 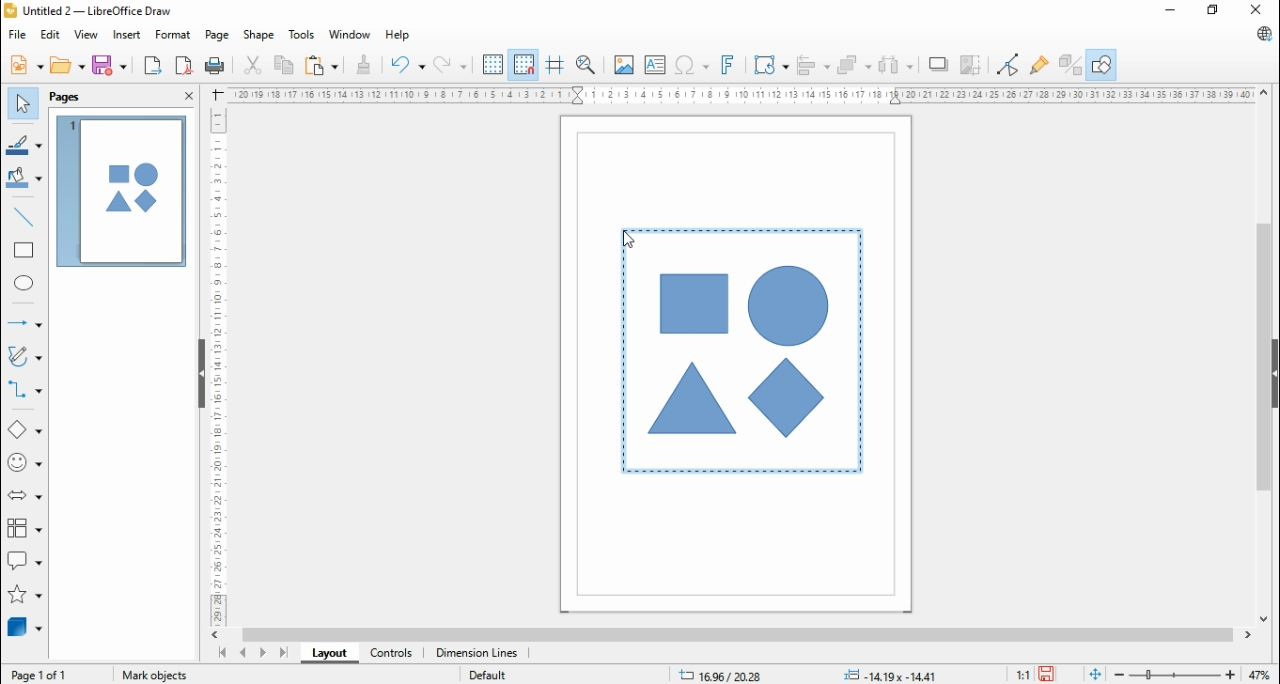 I want to click on file, so click(x=18, y=34).